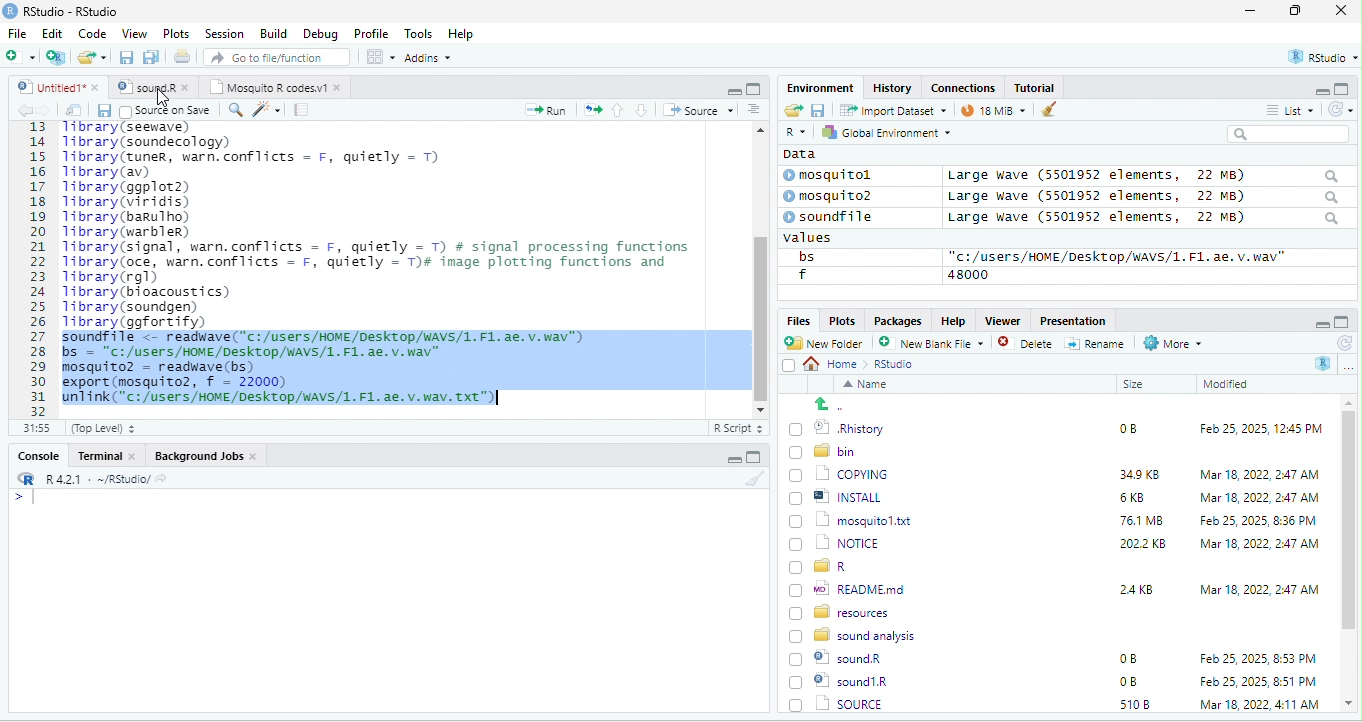  Describe the element at coordinates (1288, 134) in the screenshot. I see `search` at that location.